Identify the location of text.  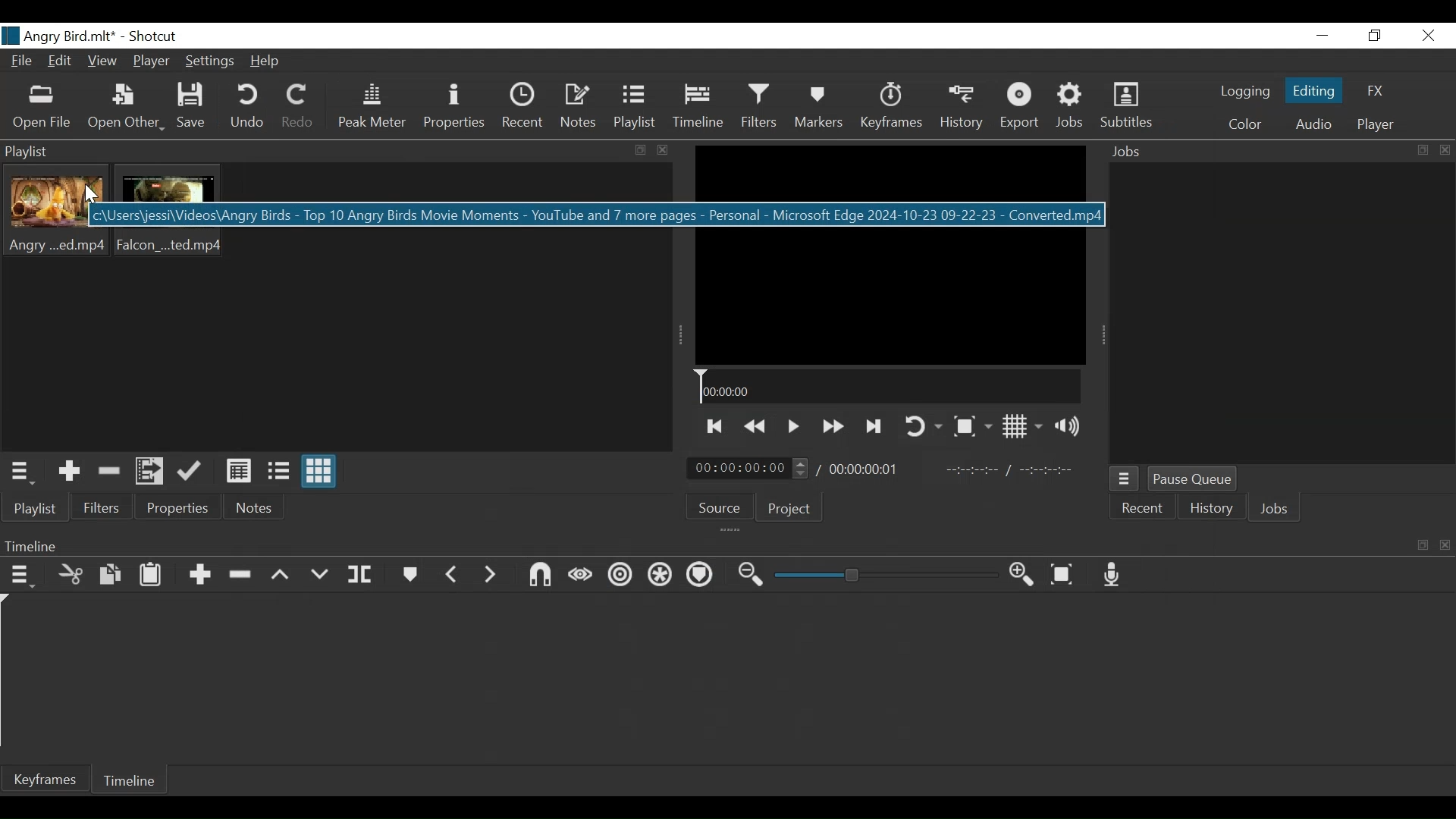
(460, 214).